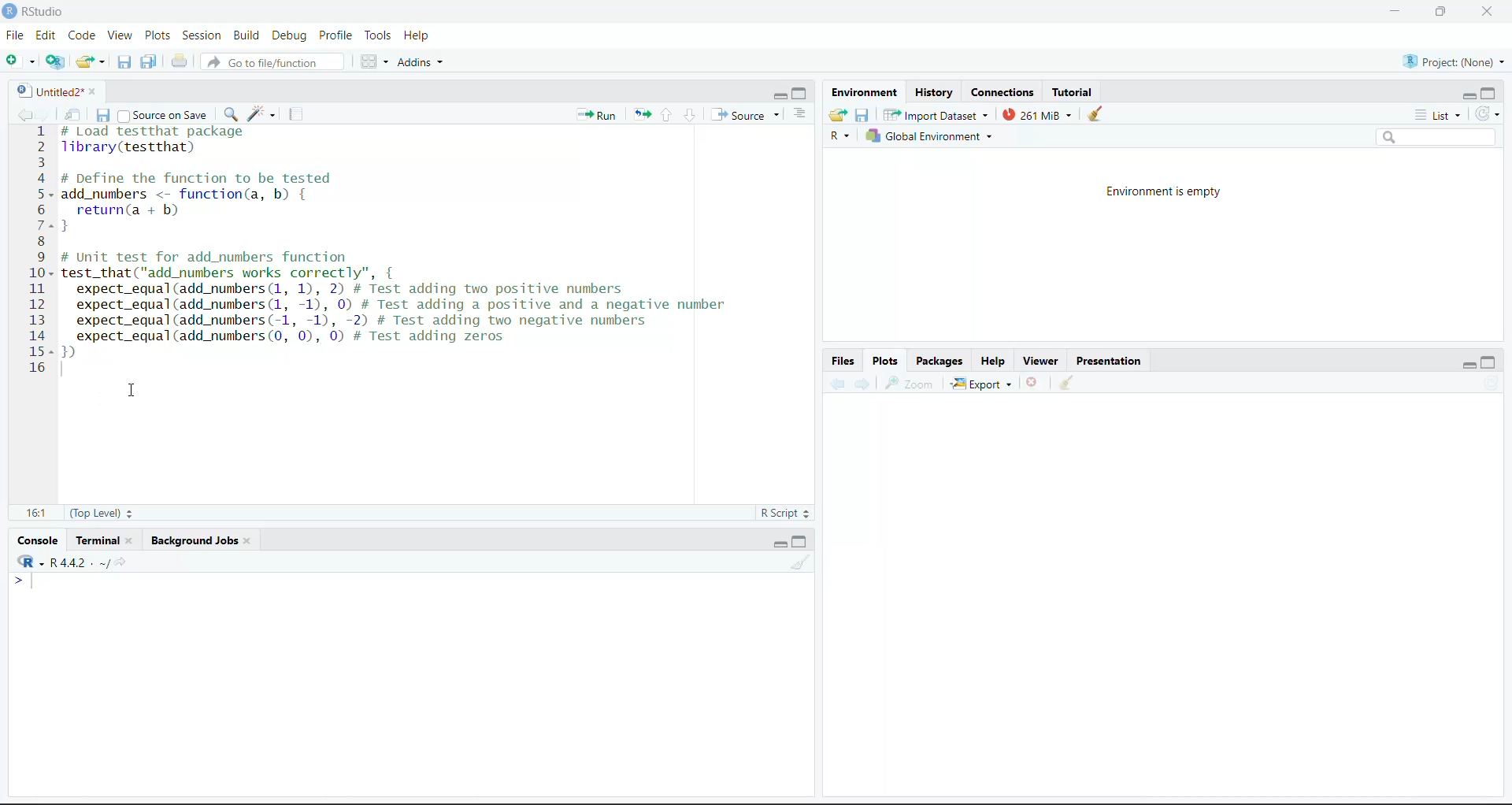 This screenshot has height=805, width=1512. Describe the element at coordinates (1436, 137) in the screenshot. I see `Search bar` at that location.